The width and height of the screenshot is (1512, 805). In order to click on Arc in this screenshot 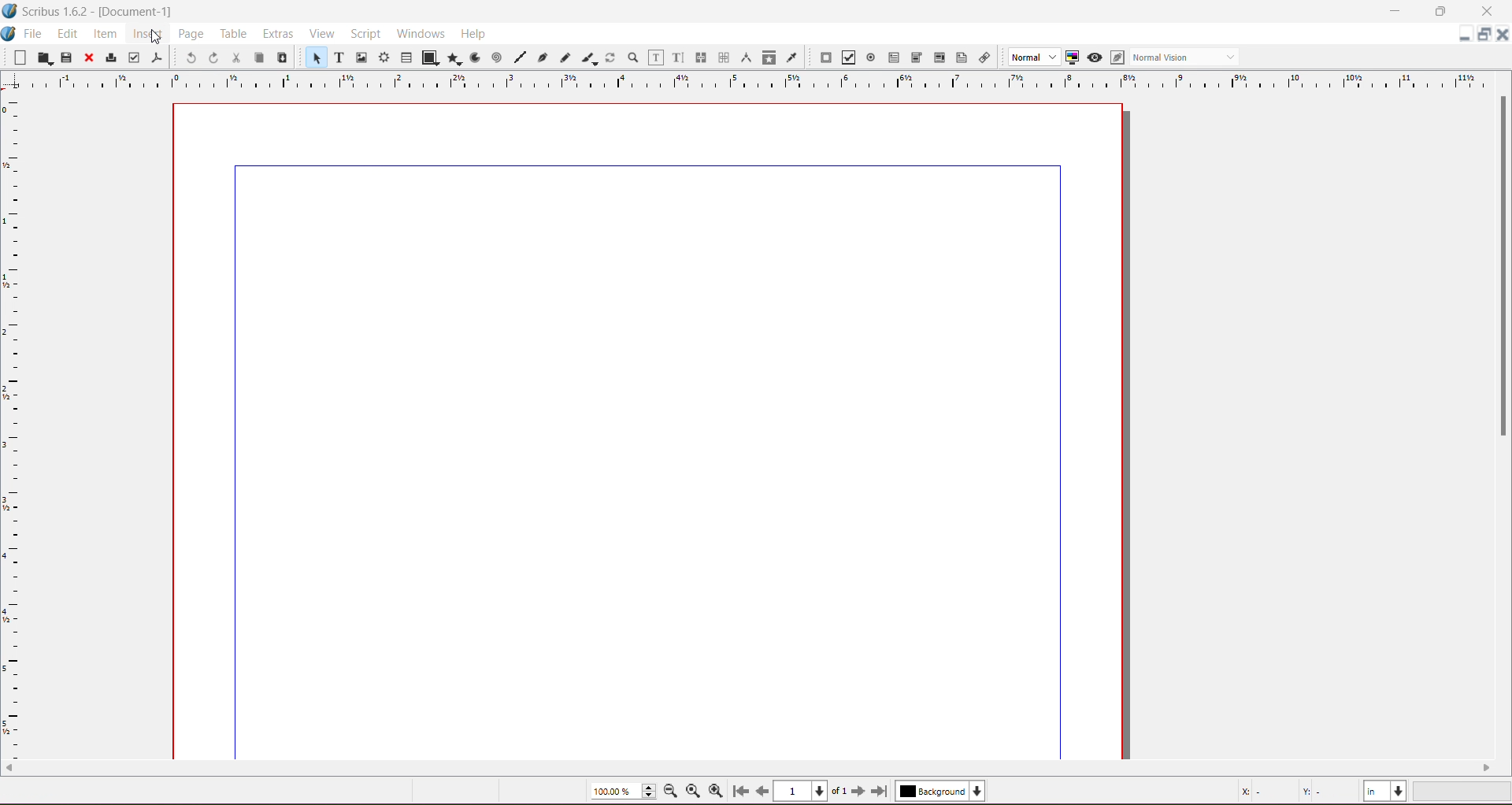, I will do `click(473, 57)`.